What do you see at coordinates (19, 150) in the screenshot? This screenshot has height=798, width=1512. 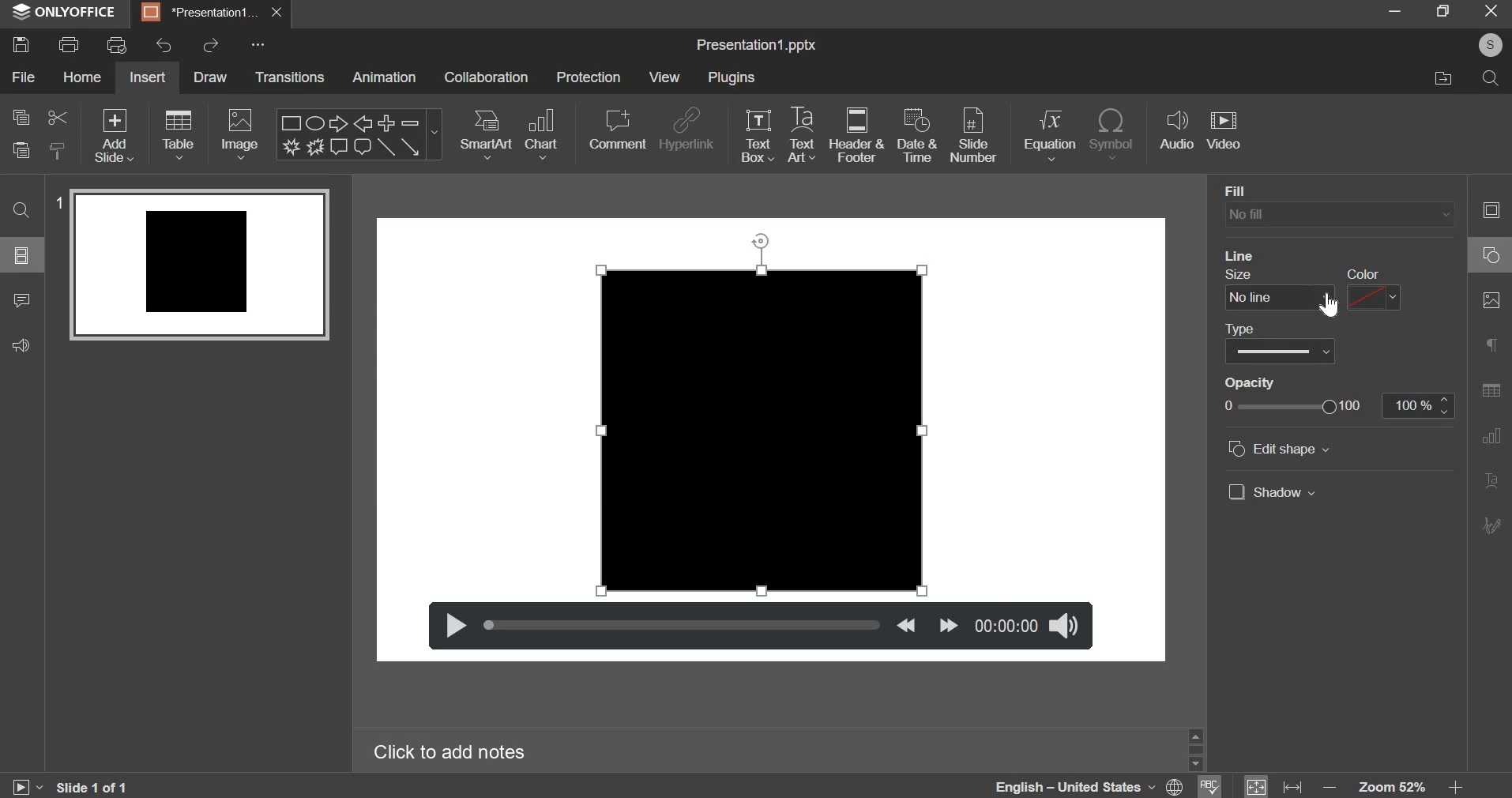 I see `paste` at bounding box center [19, 150].